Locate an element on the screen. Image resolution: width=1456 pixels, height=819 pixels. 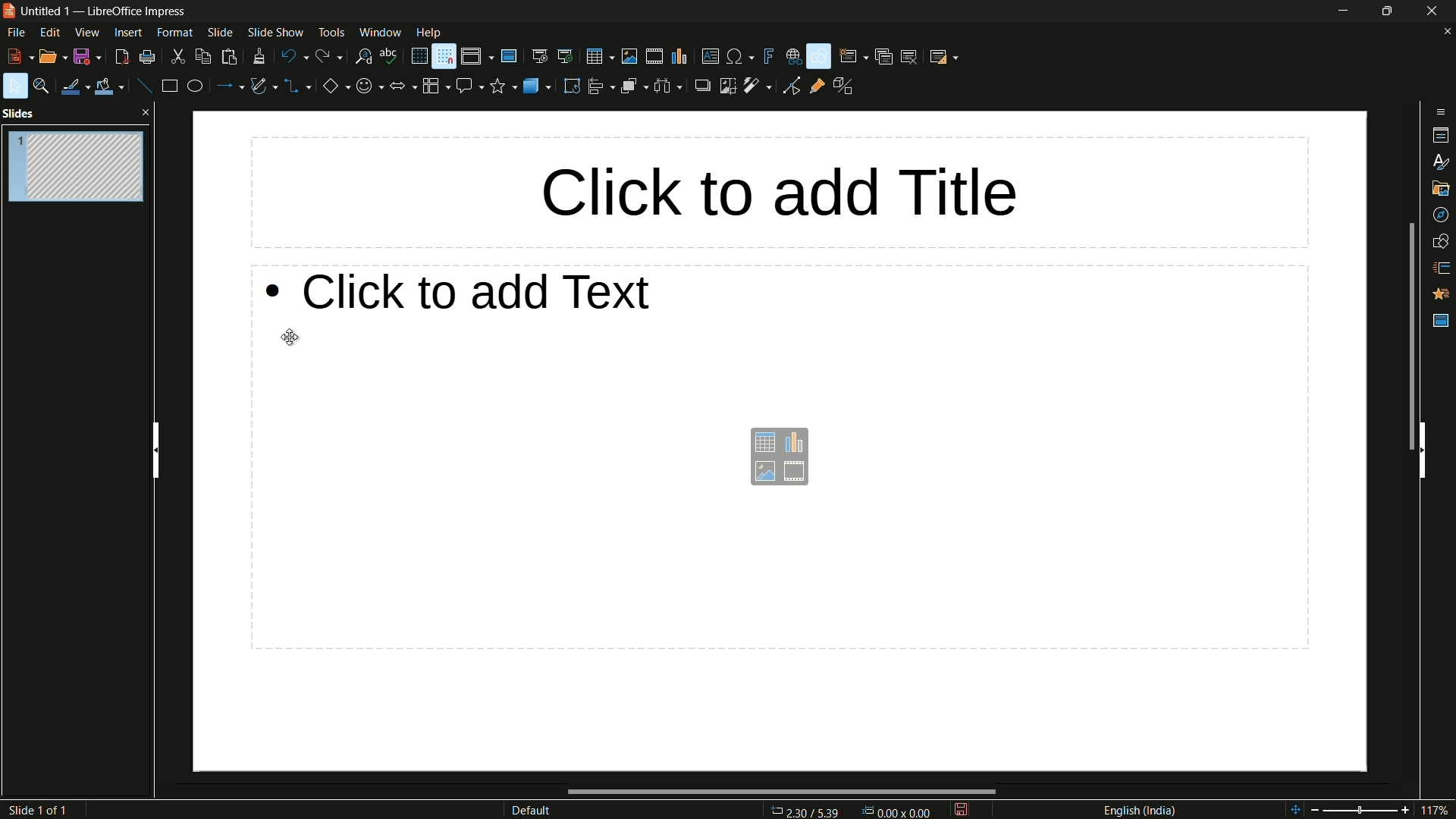
format menu is located at coordinates (174, 33).